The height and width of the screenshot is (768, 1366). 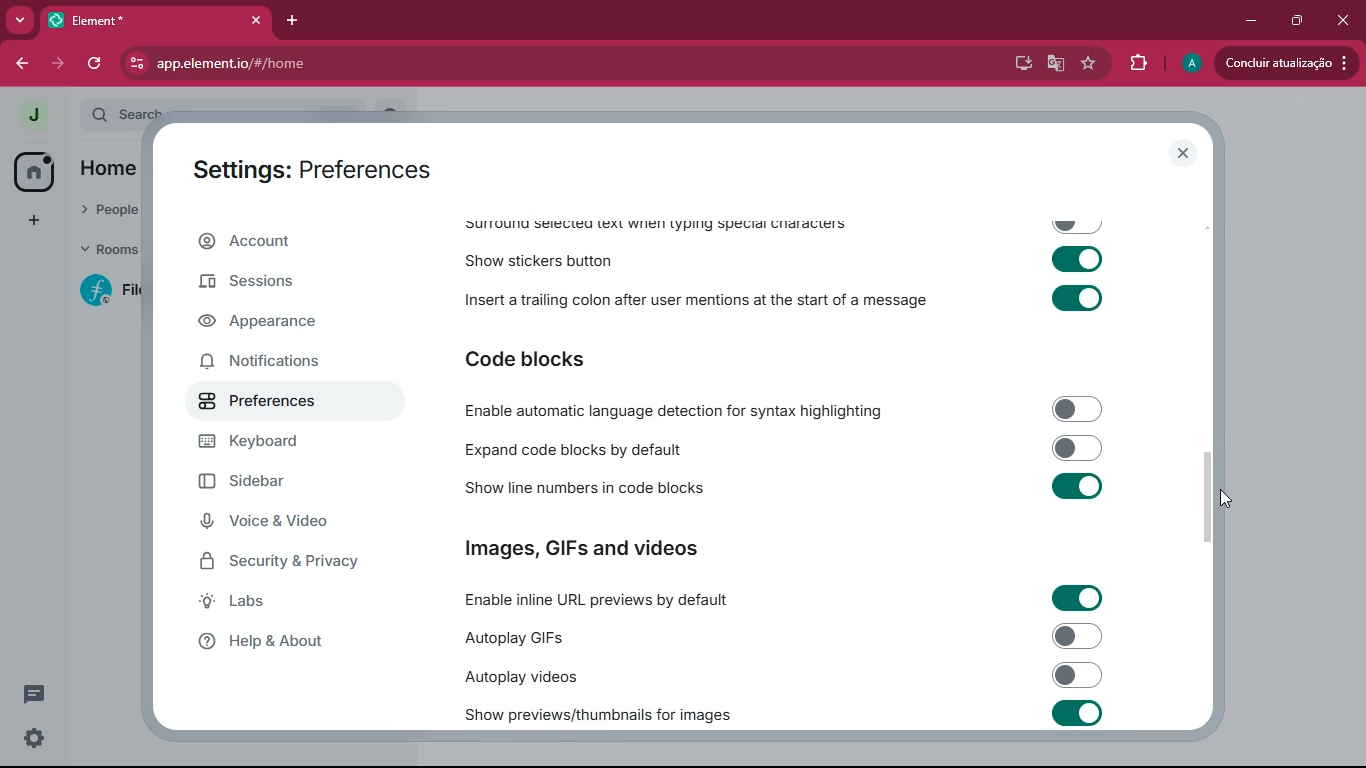 I want to click on Images, GIFs and videos, so click(x=591, y=549).